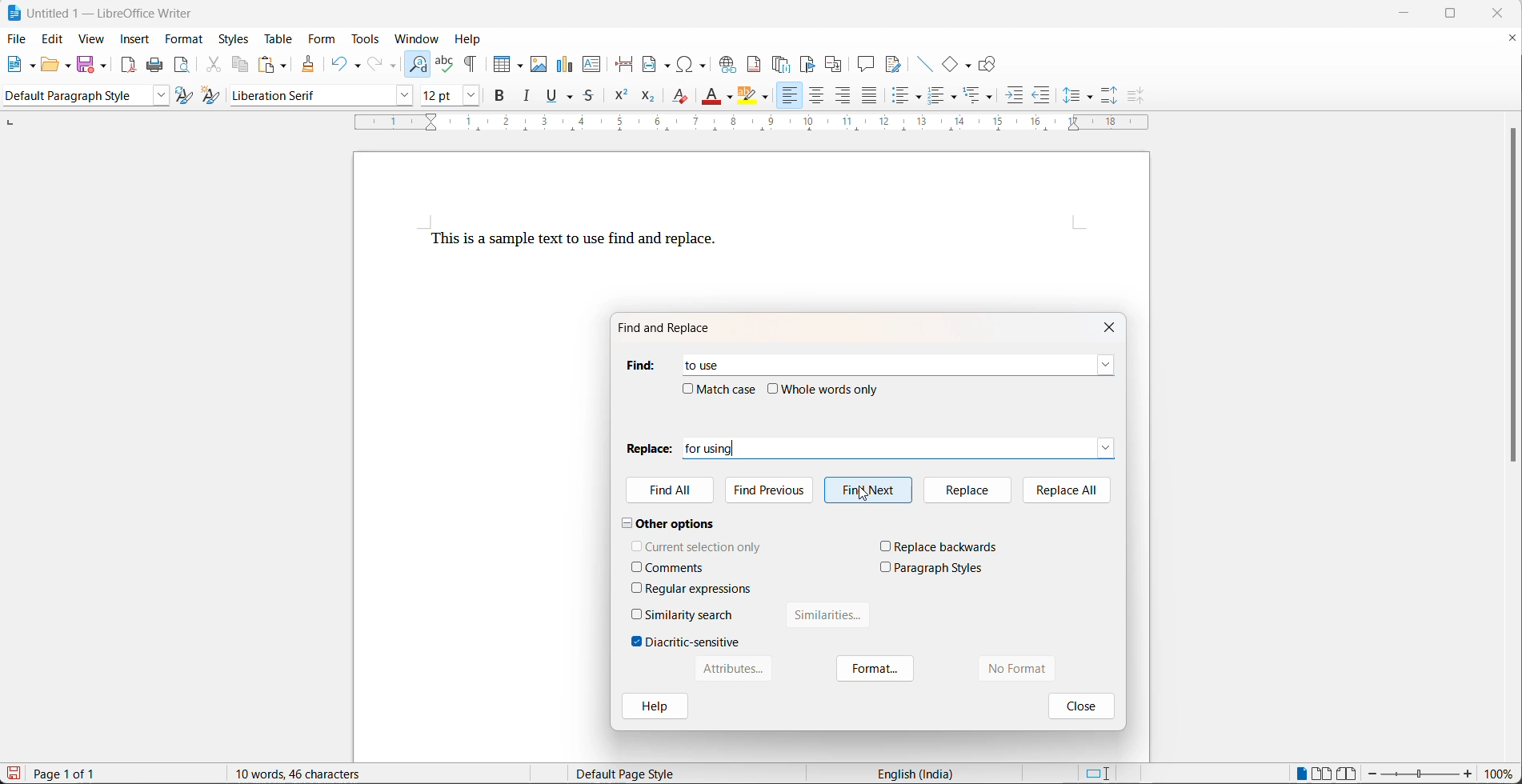 The image size is (1522, 784). I want to click on diacritic-sensitive, so click(693, 642).